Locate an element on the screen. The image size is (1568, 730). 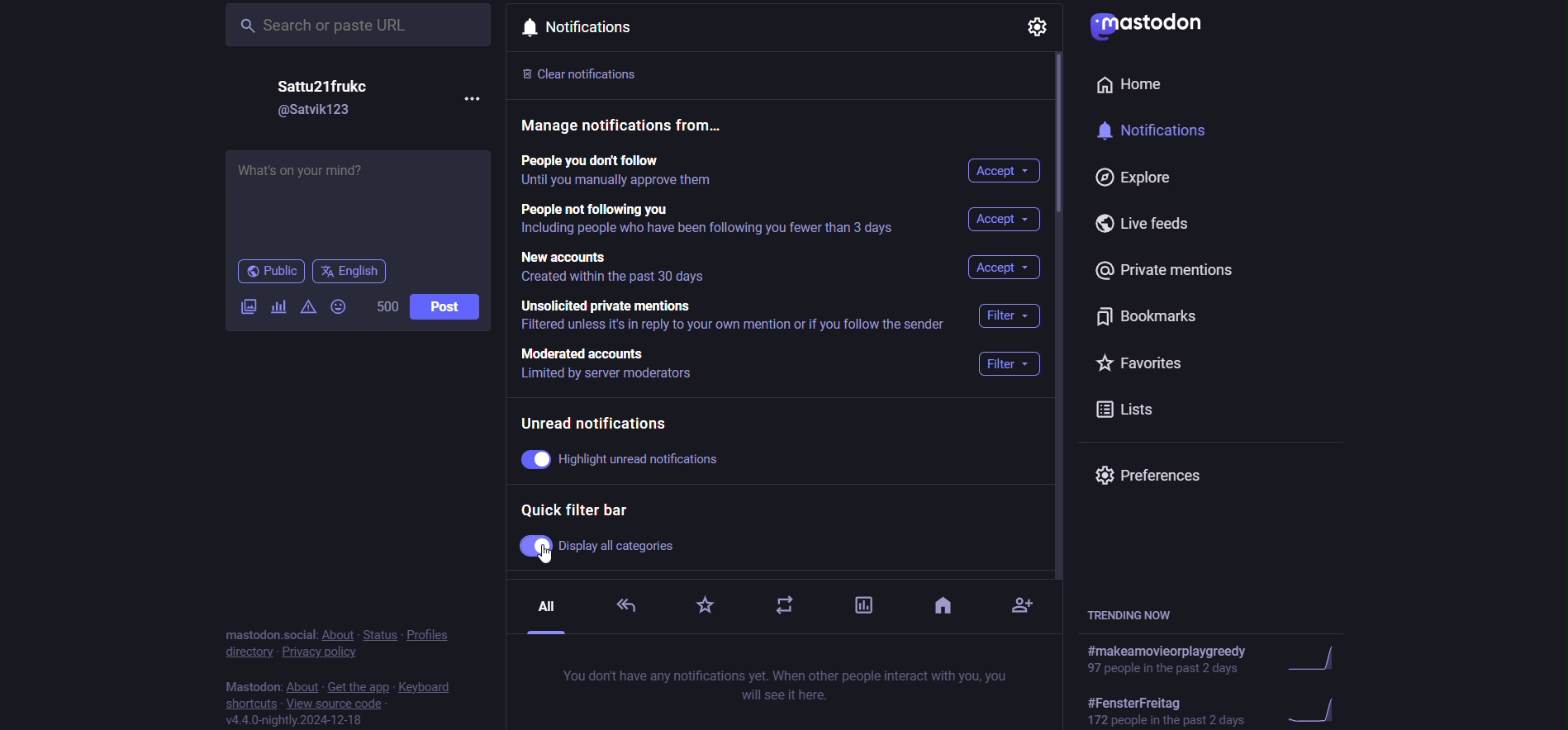
about is located at coordinates (336, 633).